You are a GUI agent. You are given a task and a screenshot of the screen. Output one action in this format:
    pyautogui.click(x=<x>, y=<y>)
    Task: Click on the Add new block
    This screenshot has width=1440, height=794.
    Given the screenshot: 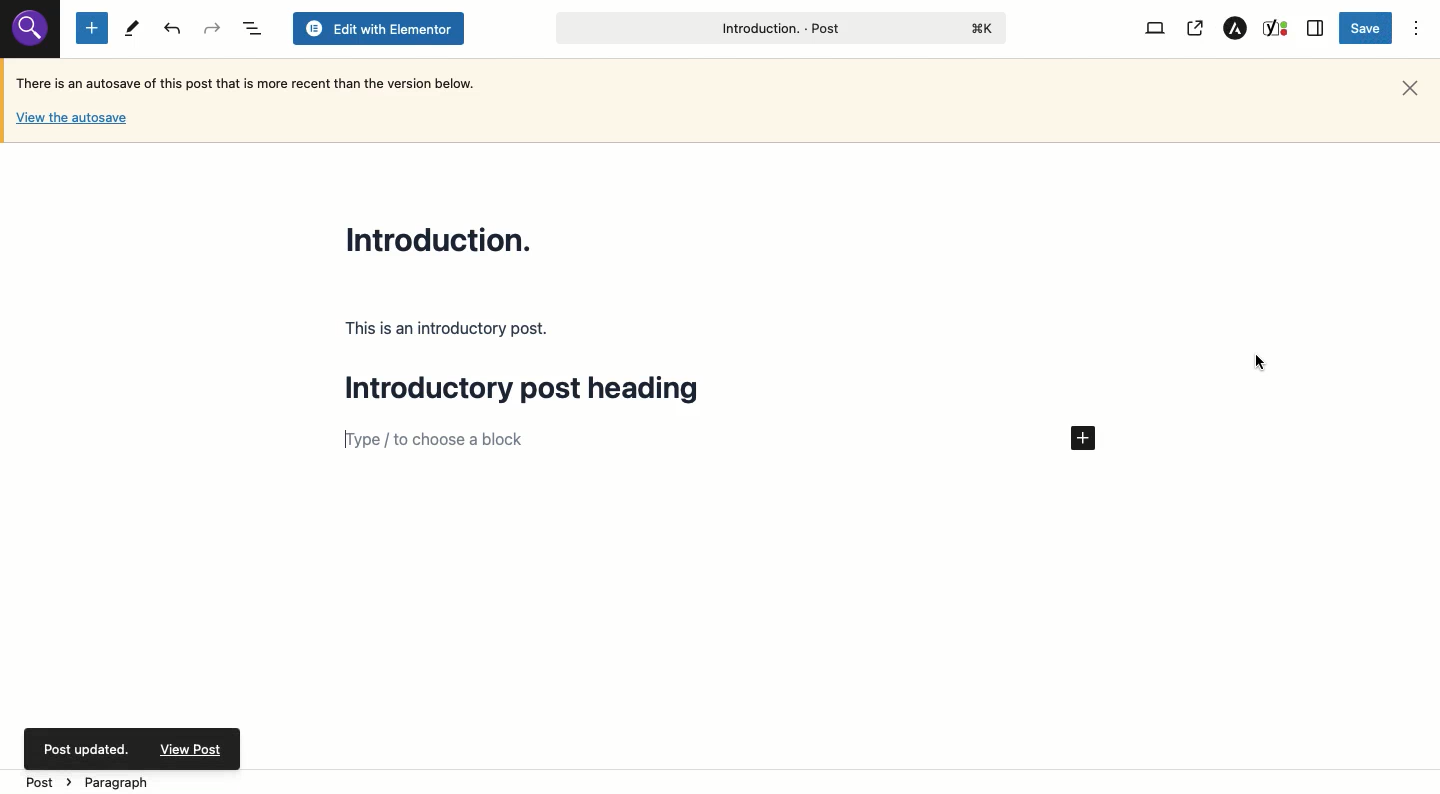 What is the action you would take?
    pyautogui.click(x=1083, y=438)
    